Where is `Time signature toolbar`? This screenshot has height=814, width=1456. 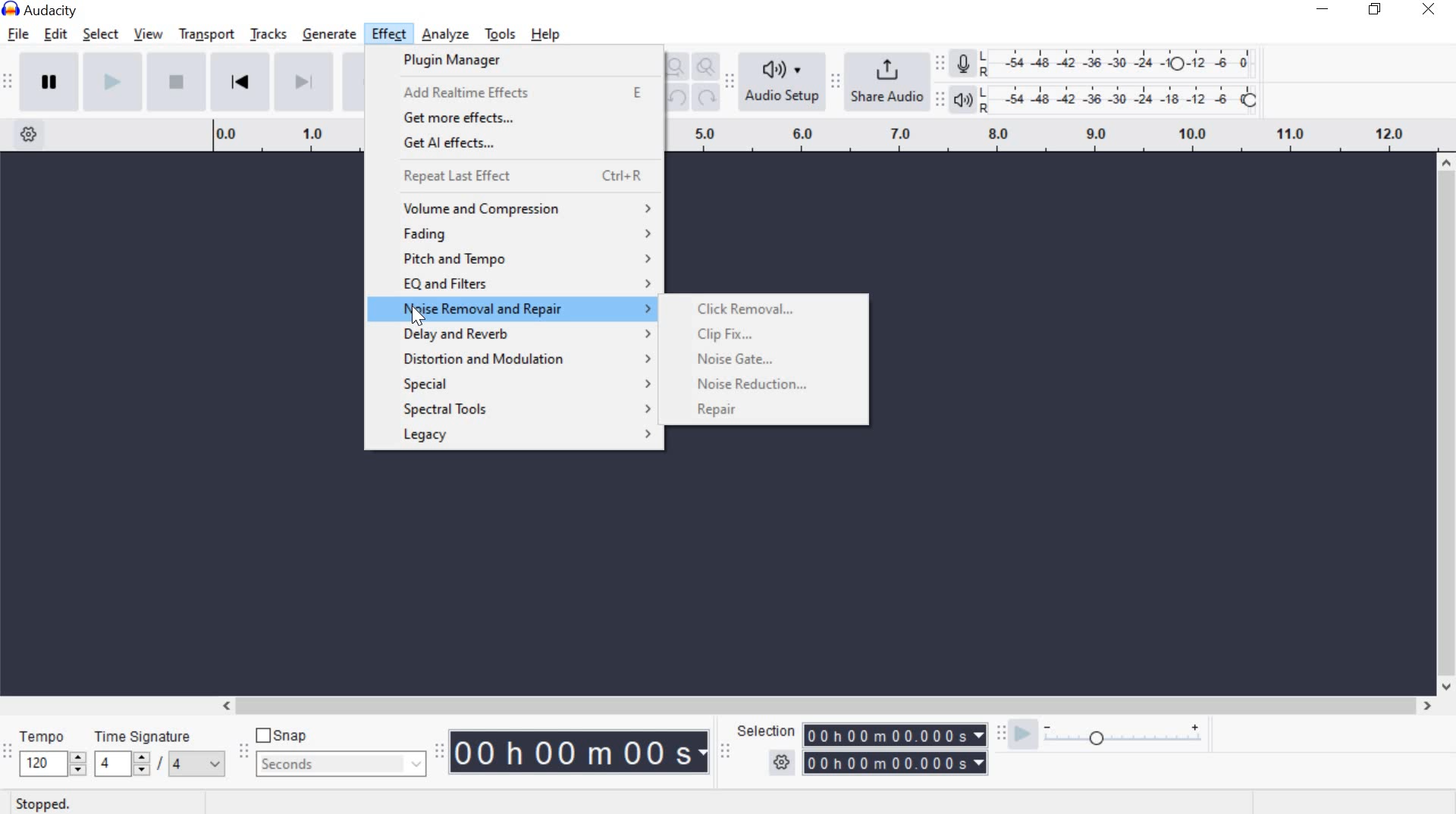 Time signature toolbar is located at coordinates (9, 747).